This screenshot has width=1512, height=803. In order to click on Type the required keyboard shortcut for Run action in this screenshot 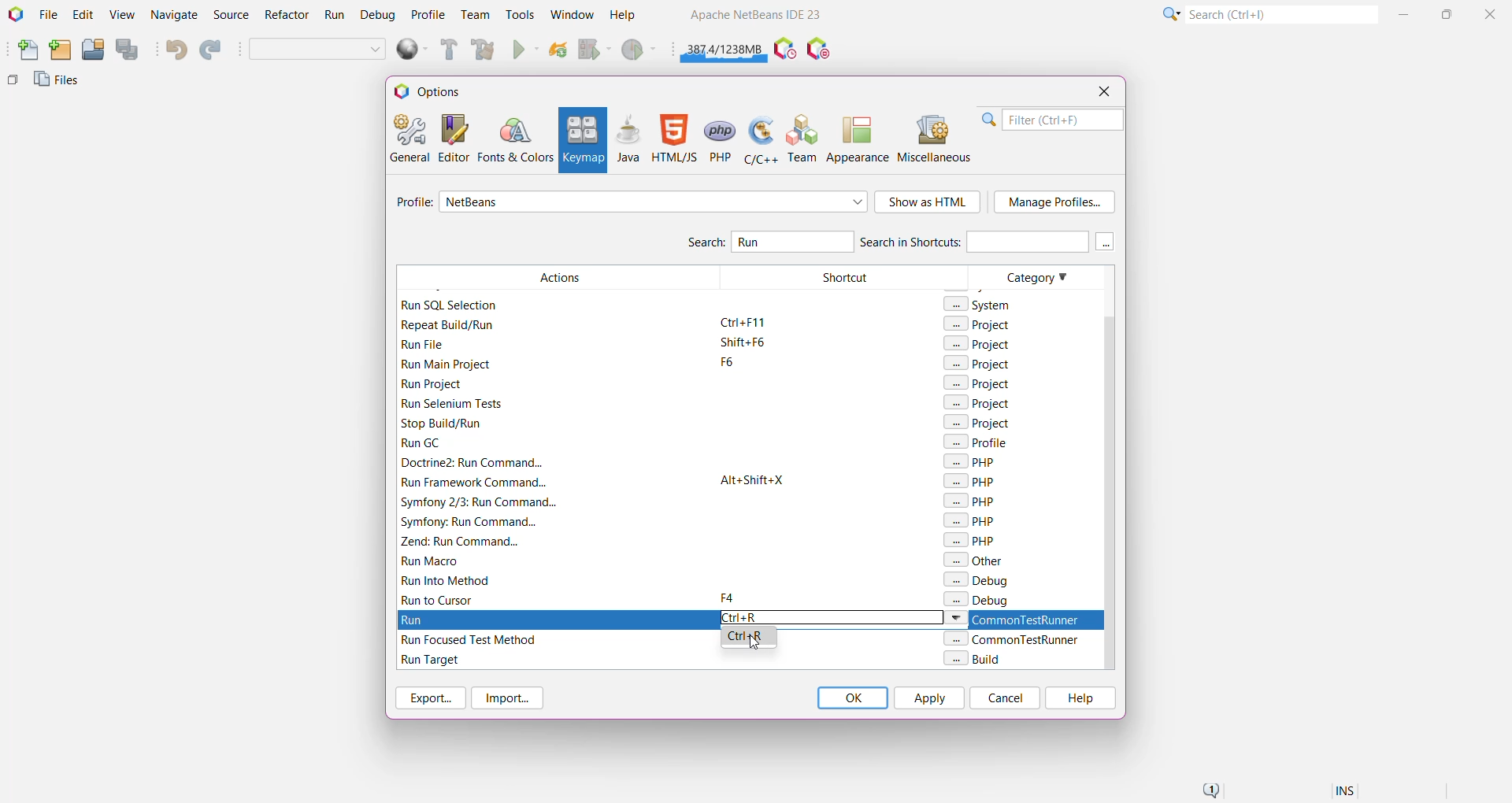, I will do `click(832, 619)`.